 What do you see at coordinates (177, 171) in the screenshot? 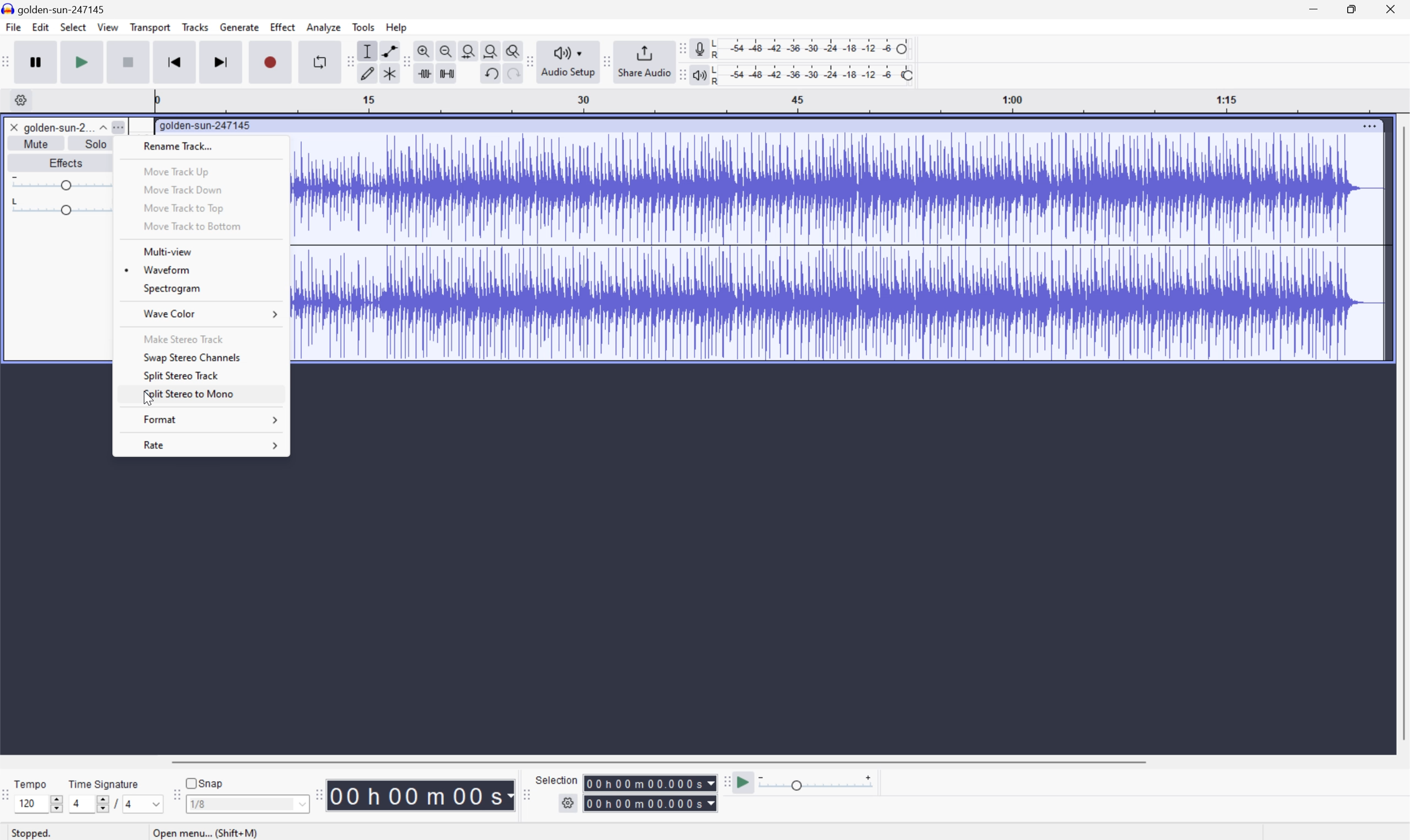
I see `Move Track Up` at bounding box center [177, 171].